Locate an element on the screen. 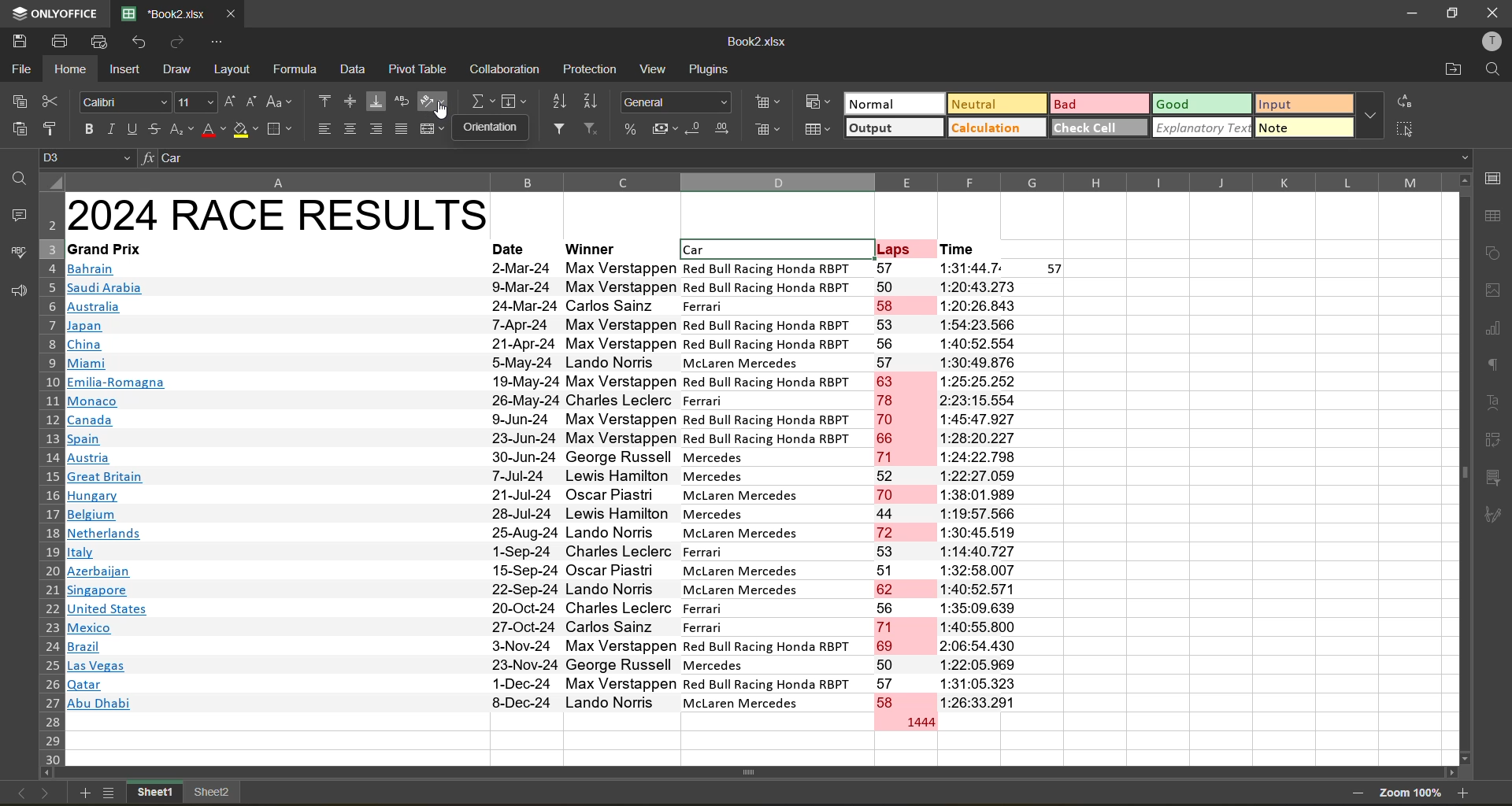 The width and height of the screenshot is (1512, 806). align right is located at coordinates (376, 129).